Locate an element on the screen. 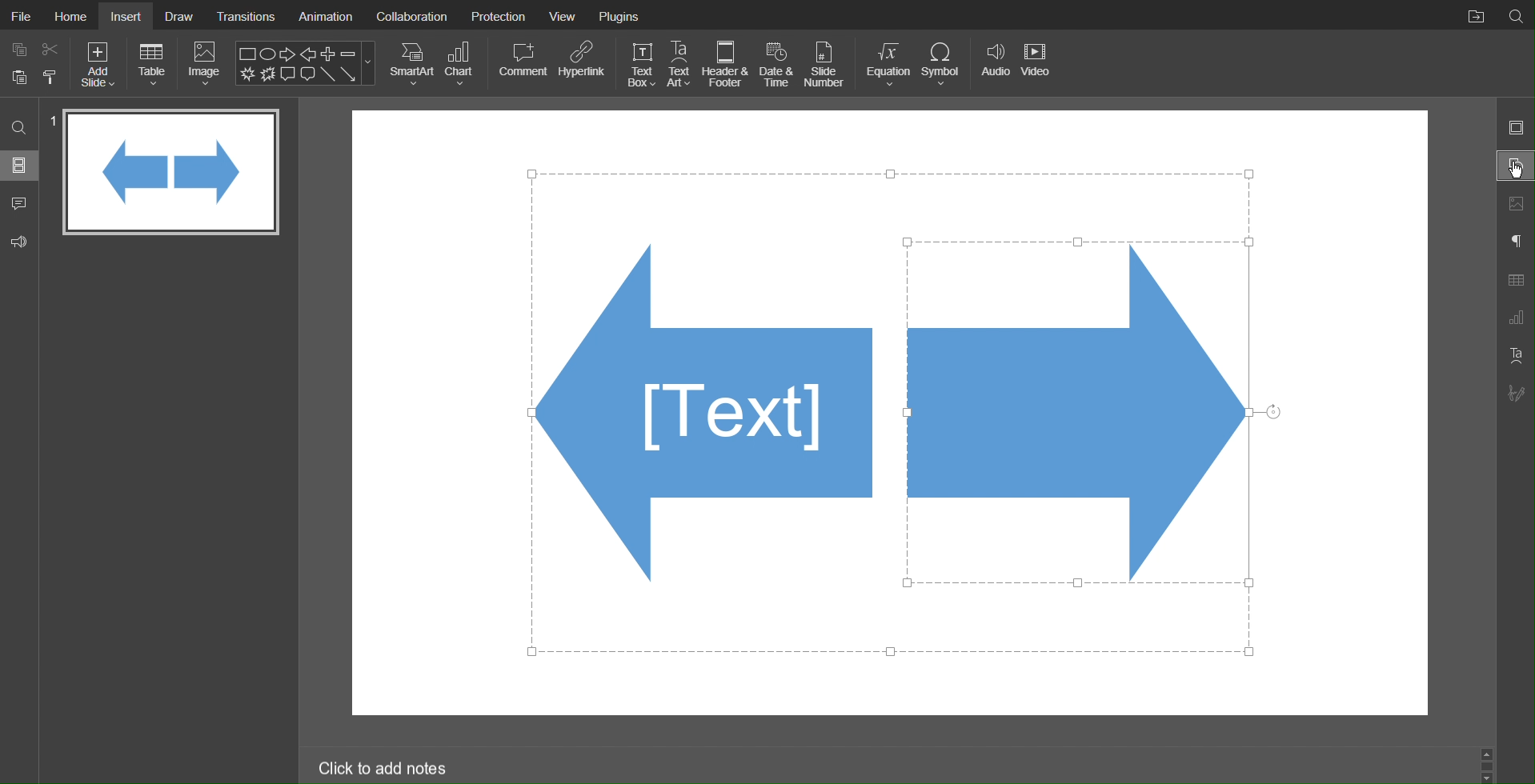 The image size is (1535, 784). paste is located at coordinates (18, 78).